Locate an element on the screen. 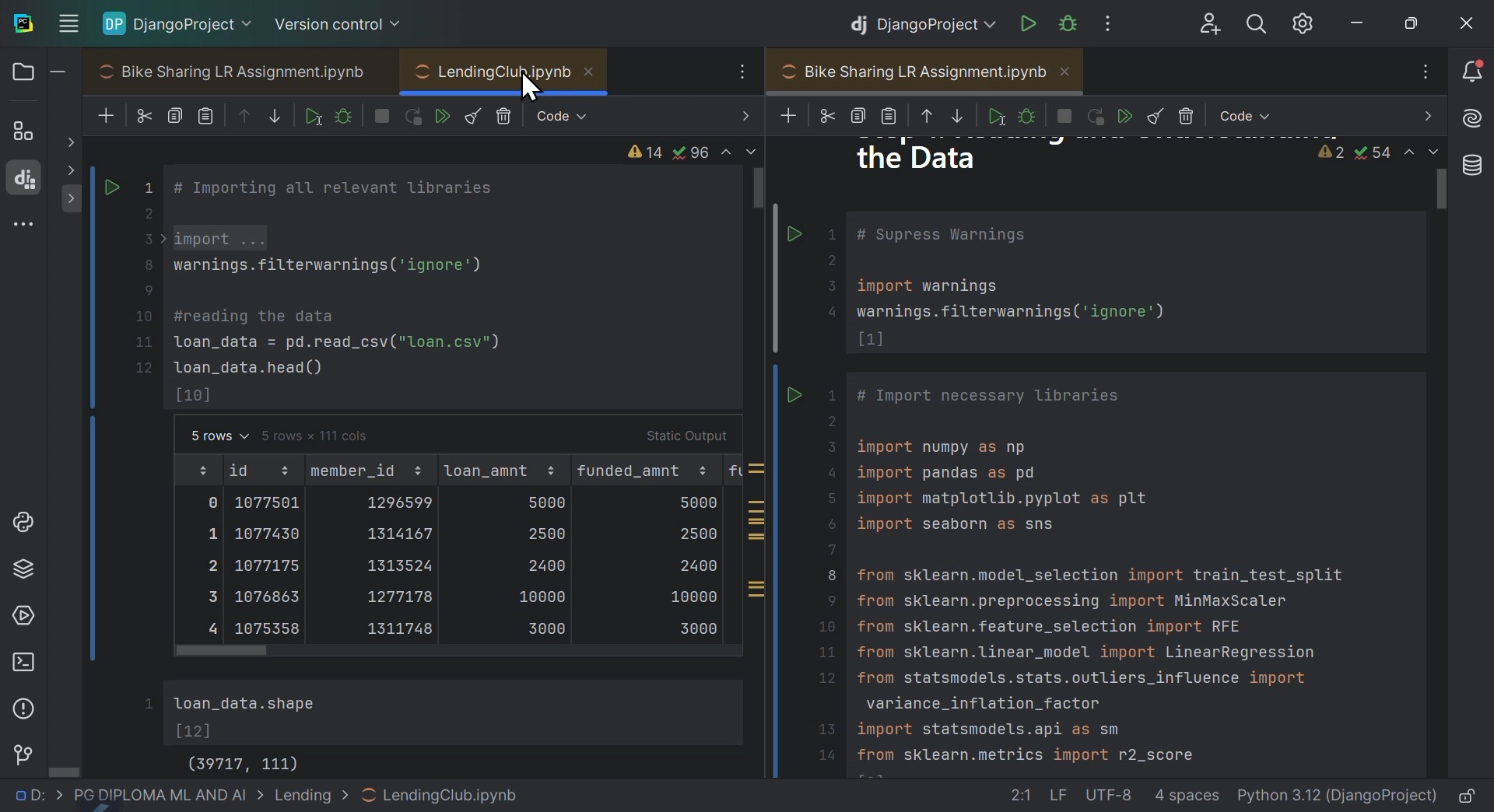 Image resolution: width=1494 pixels, height=812 pixels. Code is located at coordinates (572, 117).